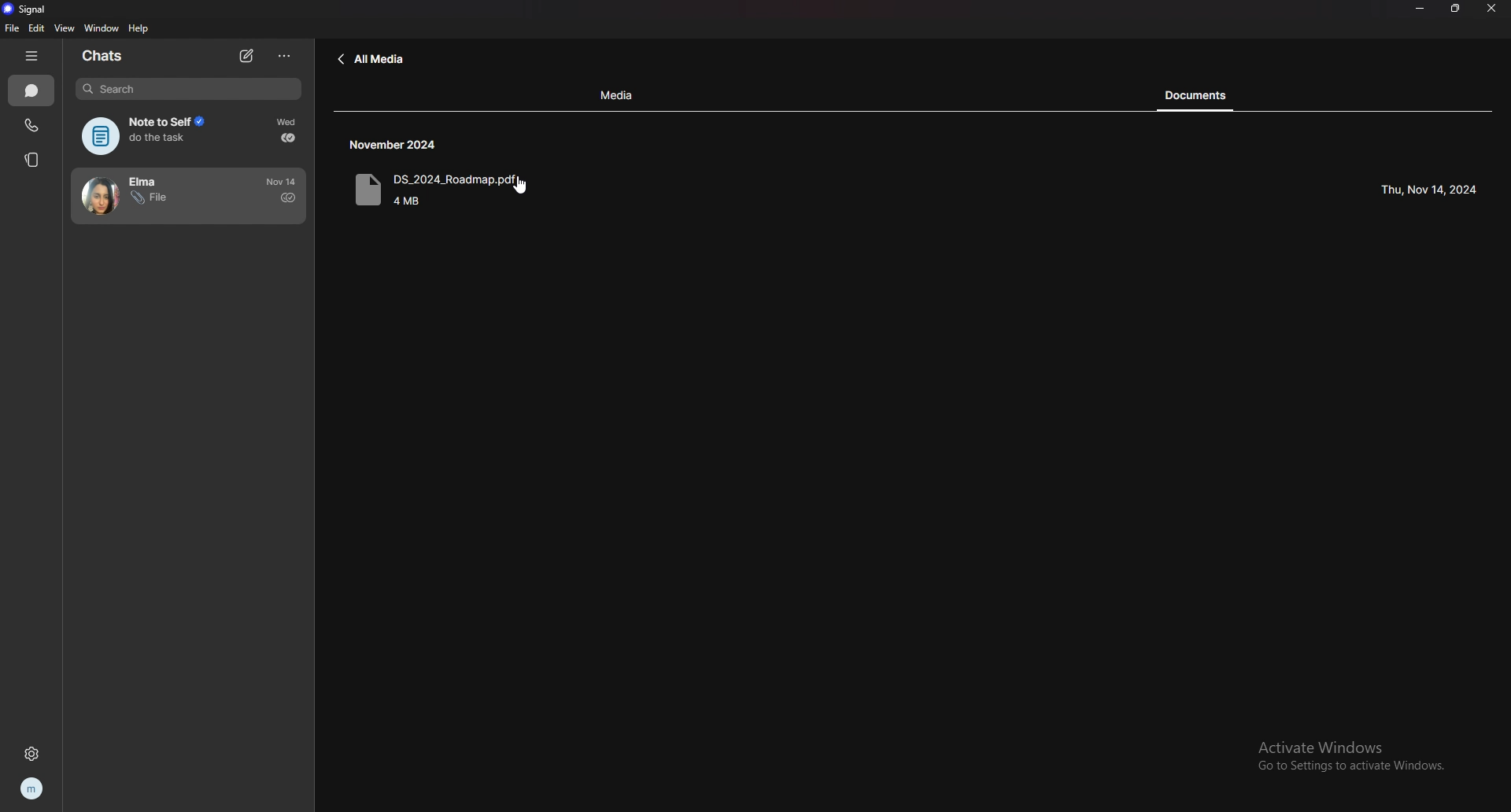 This screenshot has height=812, width=1511. What do you see at coordinates (65, 28) in the screenshot?
I see `view` at bounding box center [65, 28].